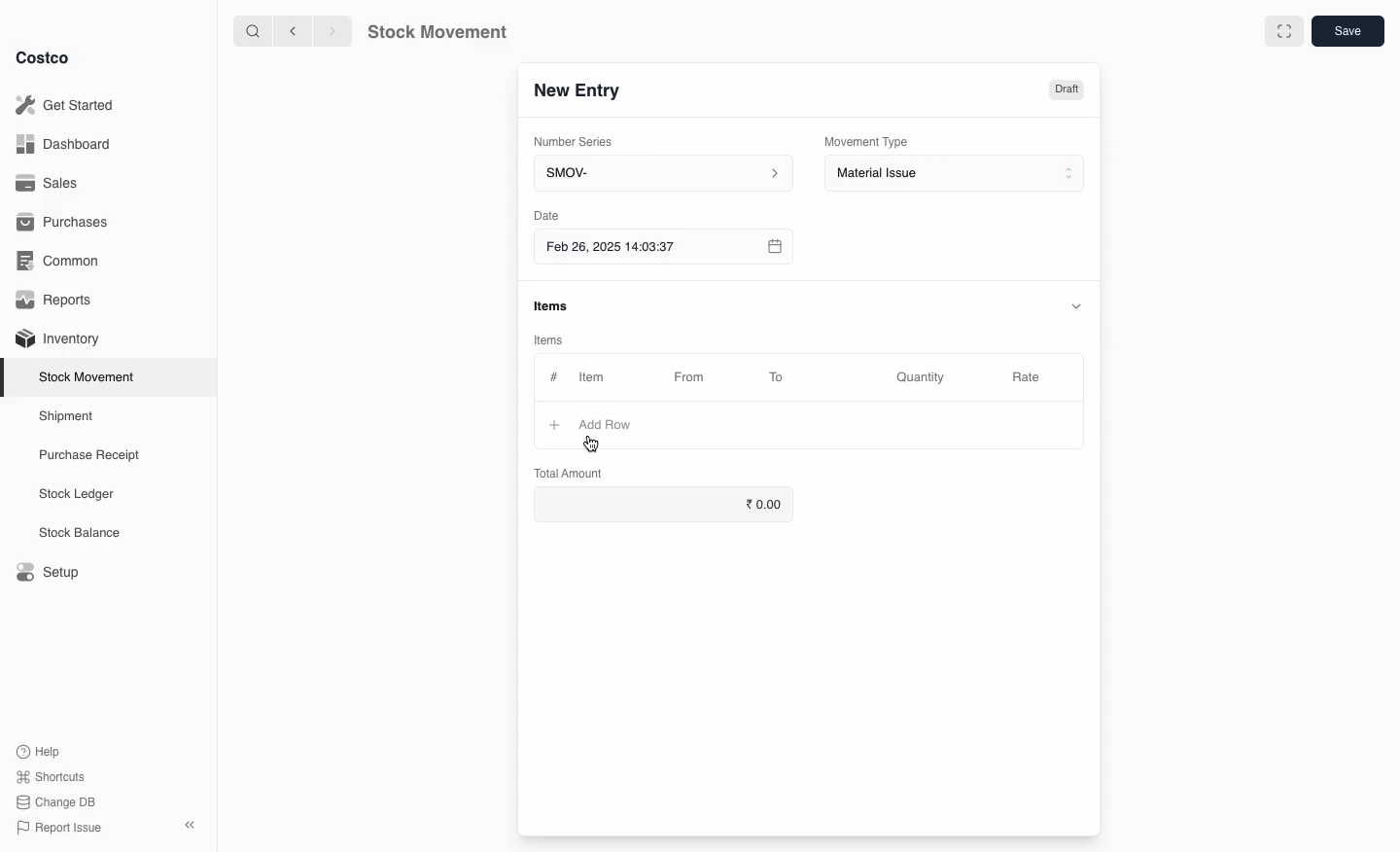 The height and width of the screenshot is (852, 1400). Describe the element at coordinates (579, 94) in the screenshot. I see `New Entry` at that location.